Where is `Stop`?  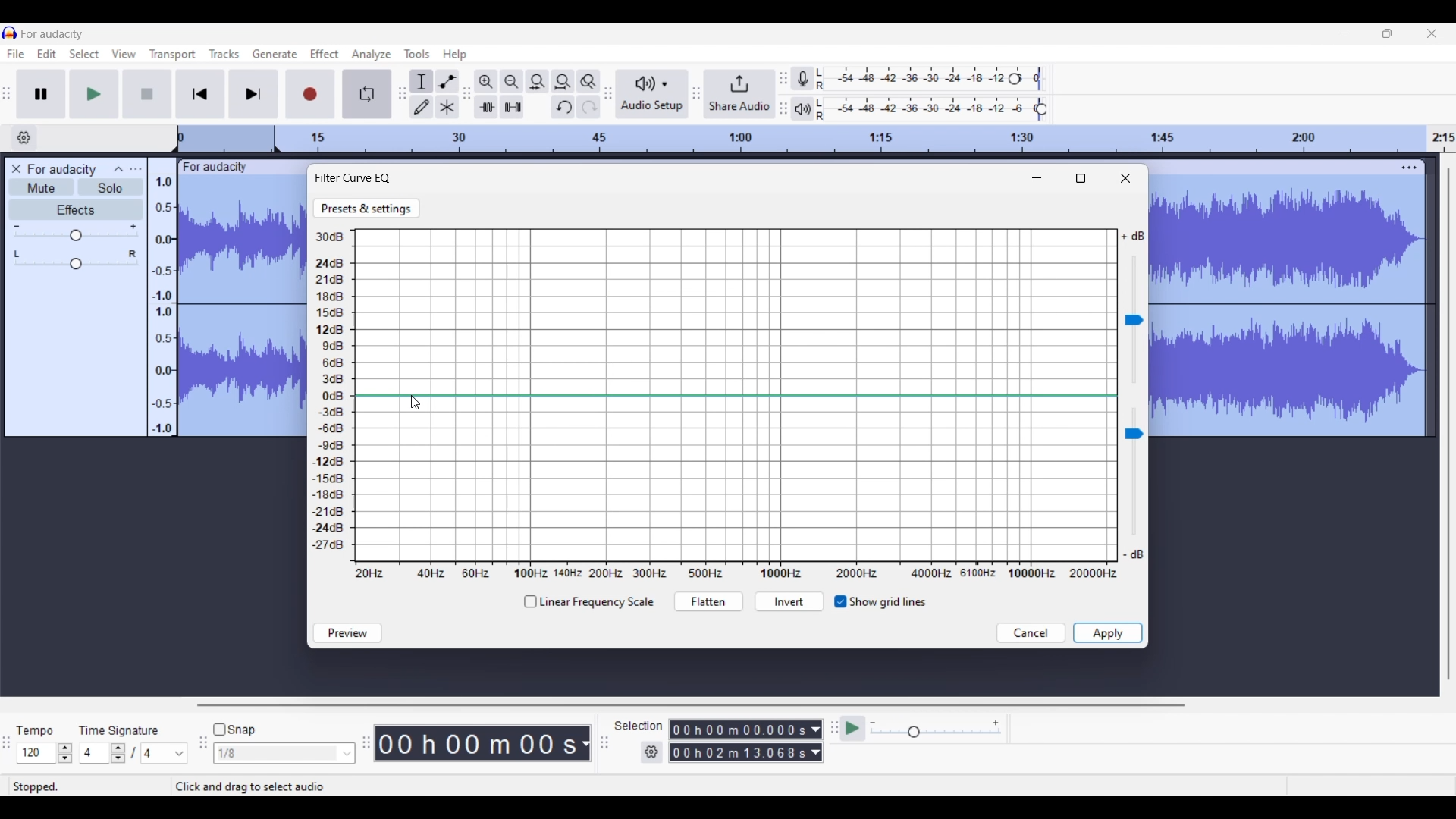
Stop is located at coordinates (147, 93).